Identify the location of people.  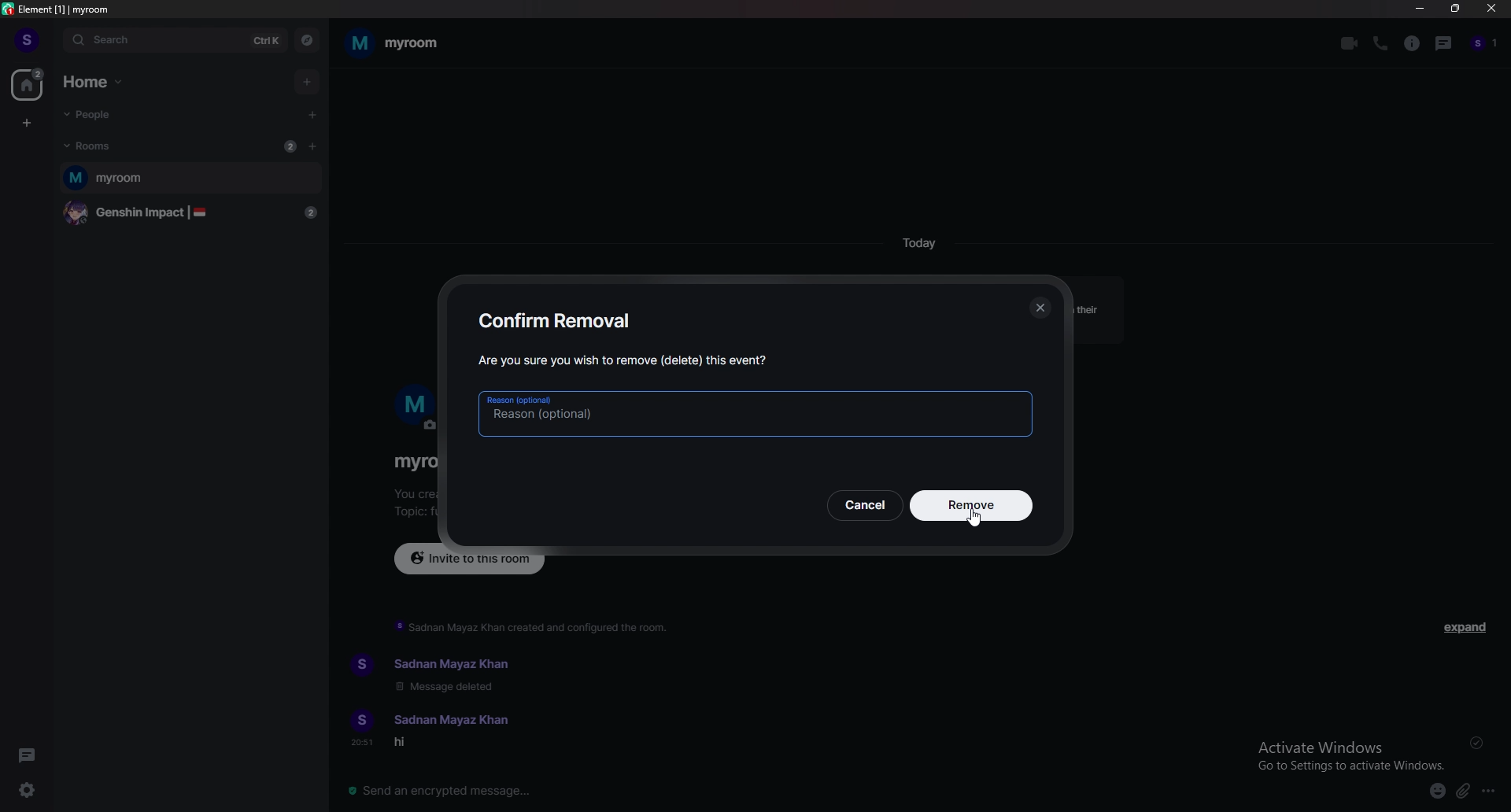
(98, 116).